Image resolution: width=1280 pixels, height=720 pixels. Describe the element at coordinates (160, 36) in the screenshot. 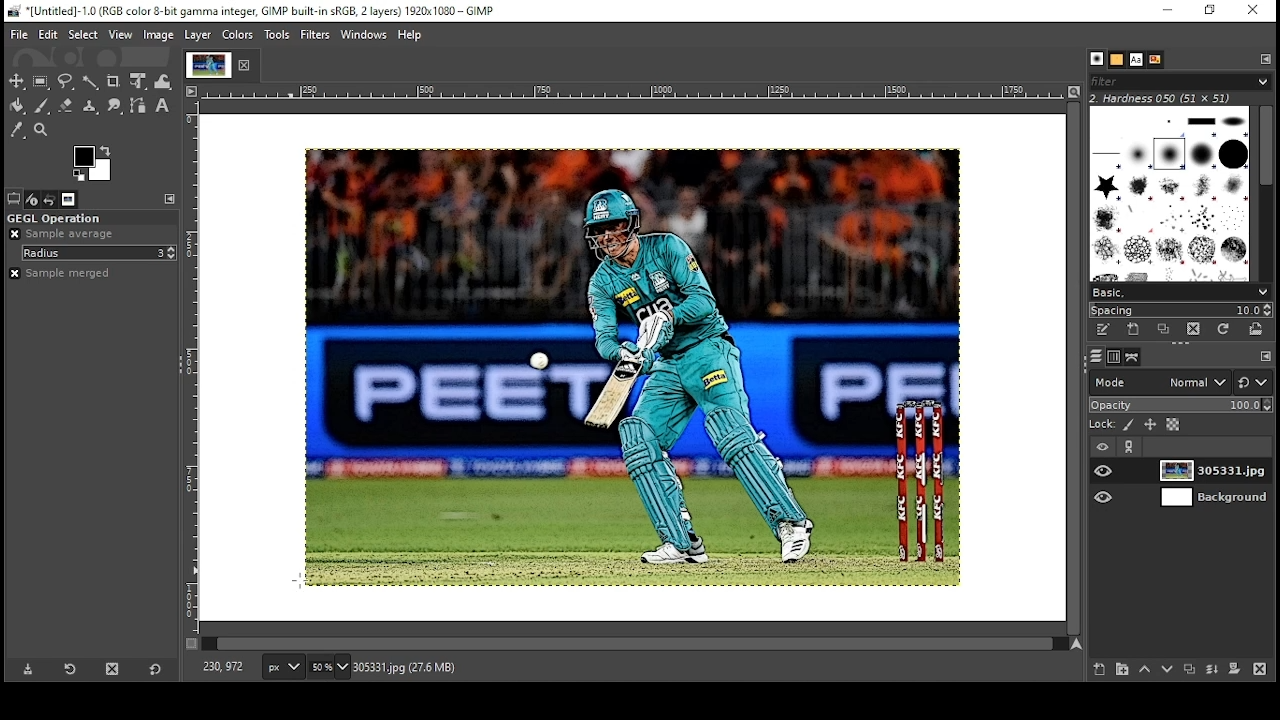

I see `image` at that location.